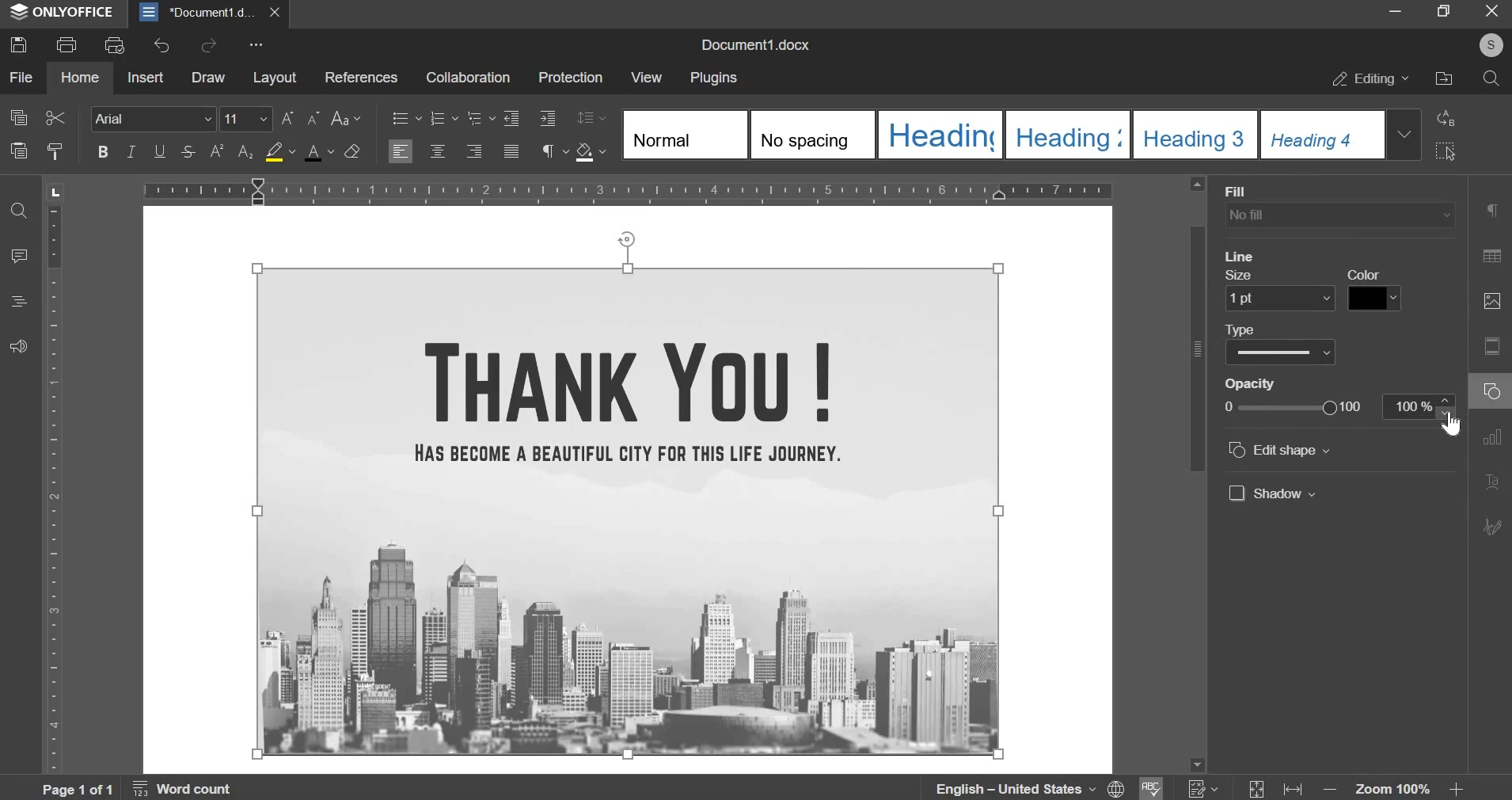 The width and height of the screenshot is (1512, 800). I want to click on decrease indent, so click(511, 118).